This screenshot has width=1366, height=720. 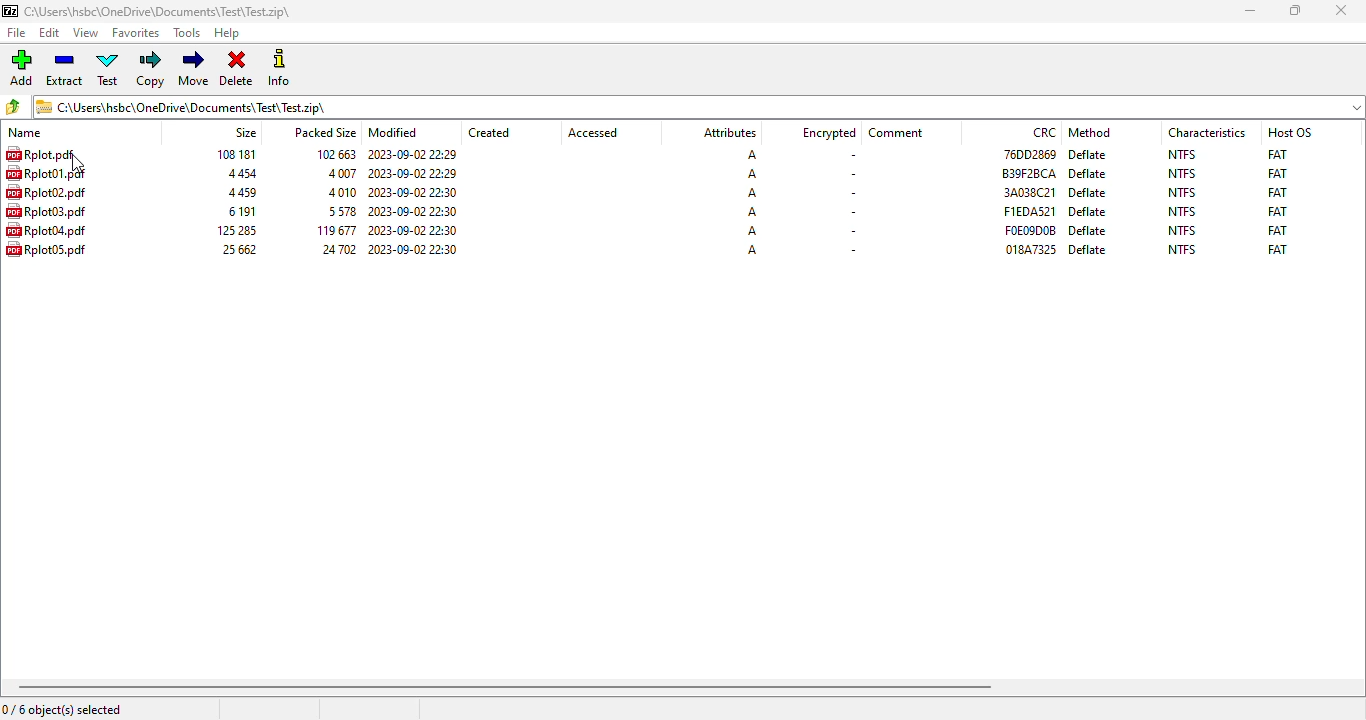 I want to click on modified, so click(x=394, y=132).